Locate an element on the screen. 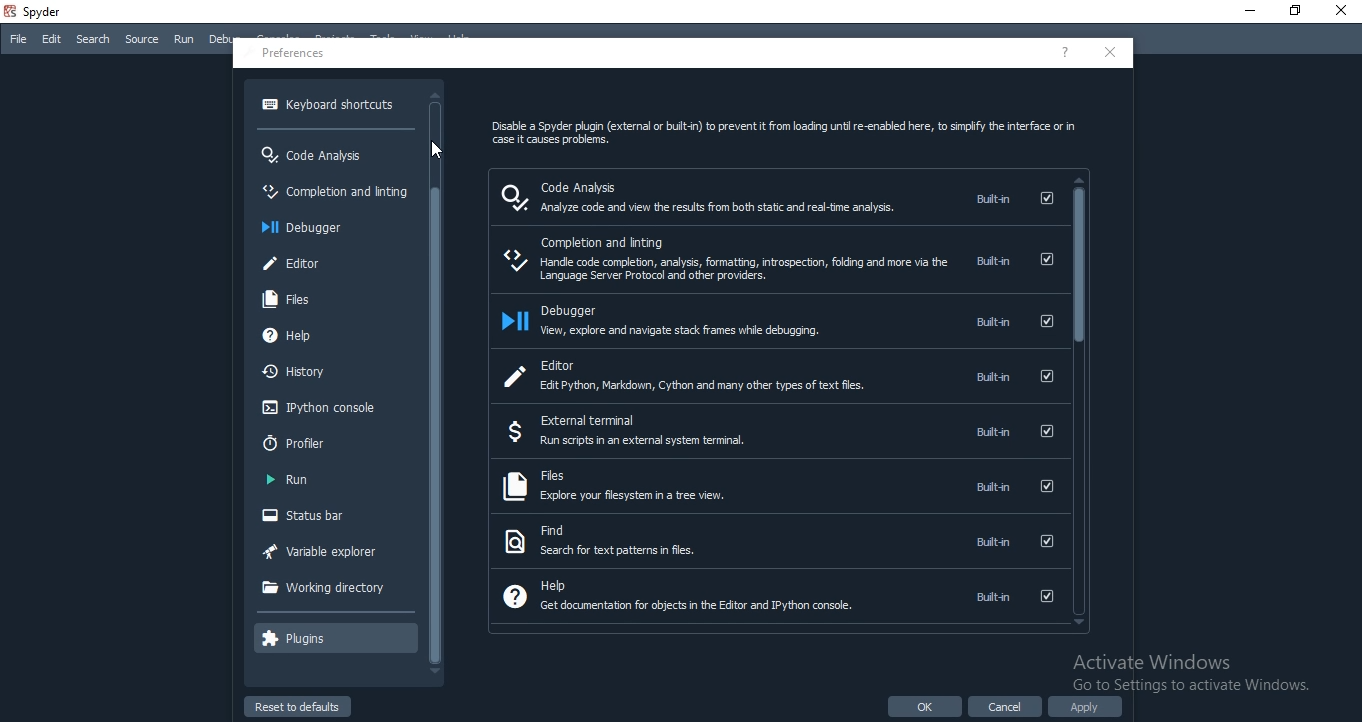  text is located at coordinates (990, 261).